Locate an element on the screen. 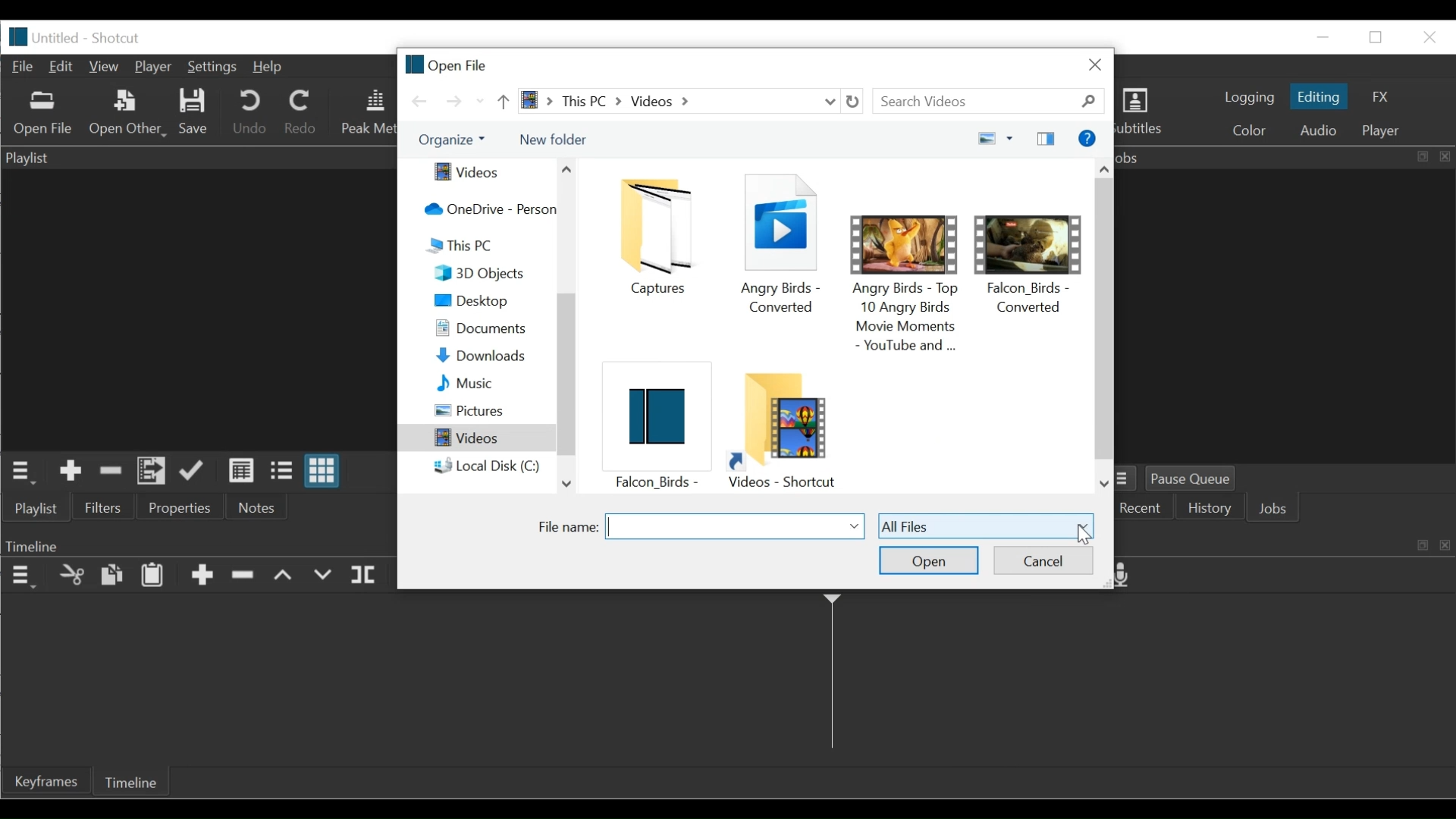 This screenshot has height=819, width=1456. Edit is located at coordinates (64, 67).